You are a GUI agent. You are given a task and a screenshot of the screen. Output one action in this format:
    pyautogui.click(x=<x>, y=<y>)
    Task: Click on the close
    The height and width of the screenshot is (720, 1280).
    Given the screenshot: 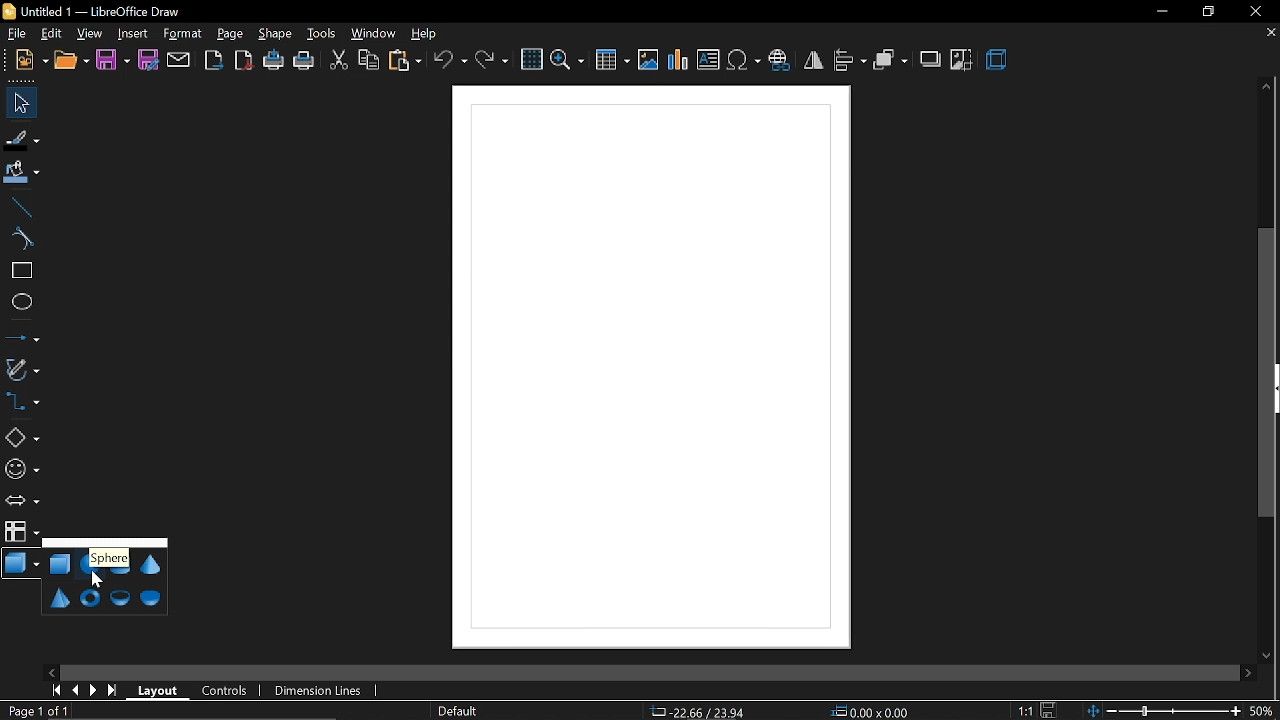 What is the action you would take?
    pyautogui.click(x=1253, y=11)
    